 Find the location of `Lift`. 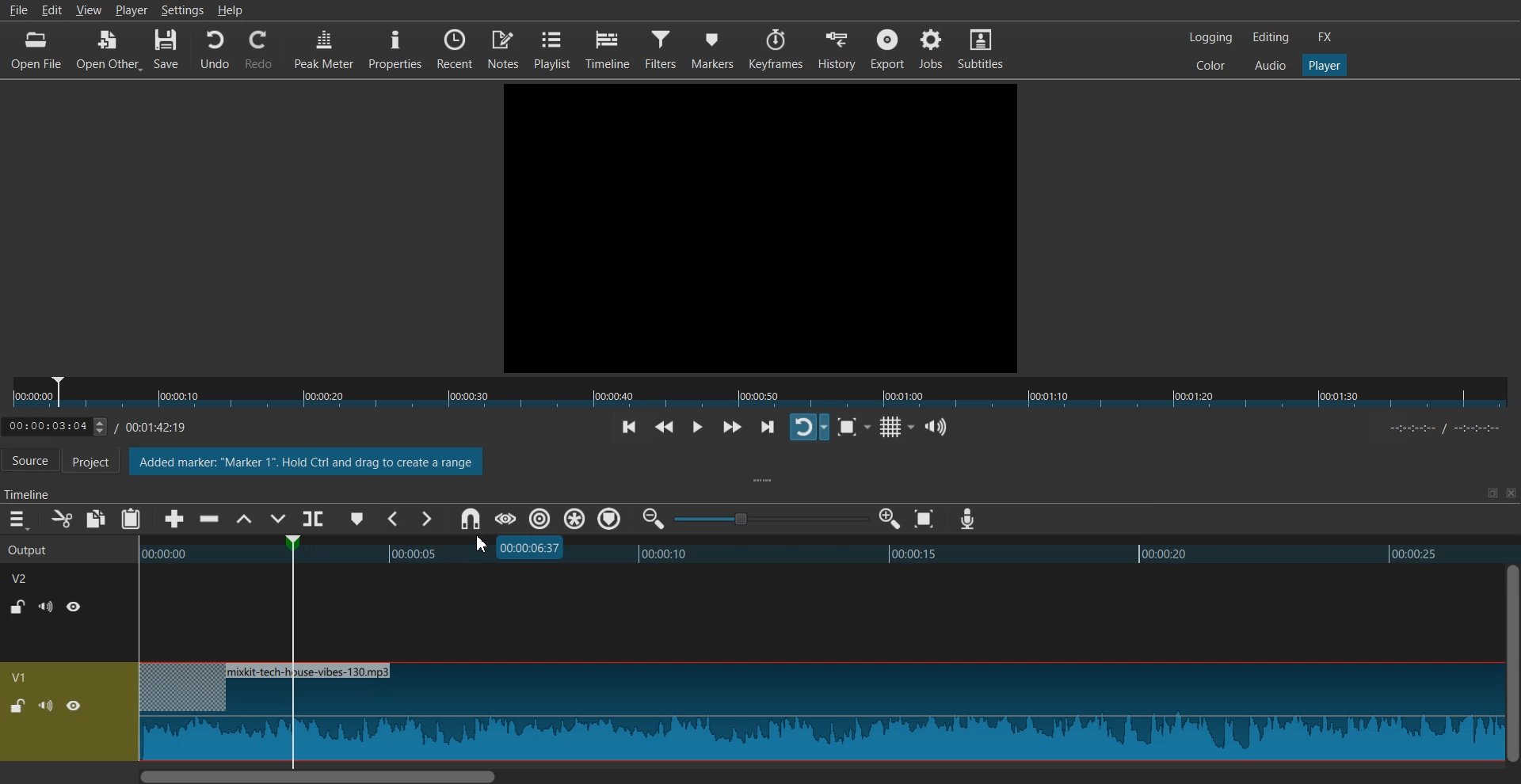

Lift is located at coordinates (243, 519).